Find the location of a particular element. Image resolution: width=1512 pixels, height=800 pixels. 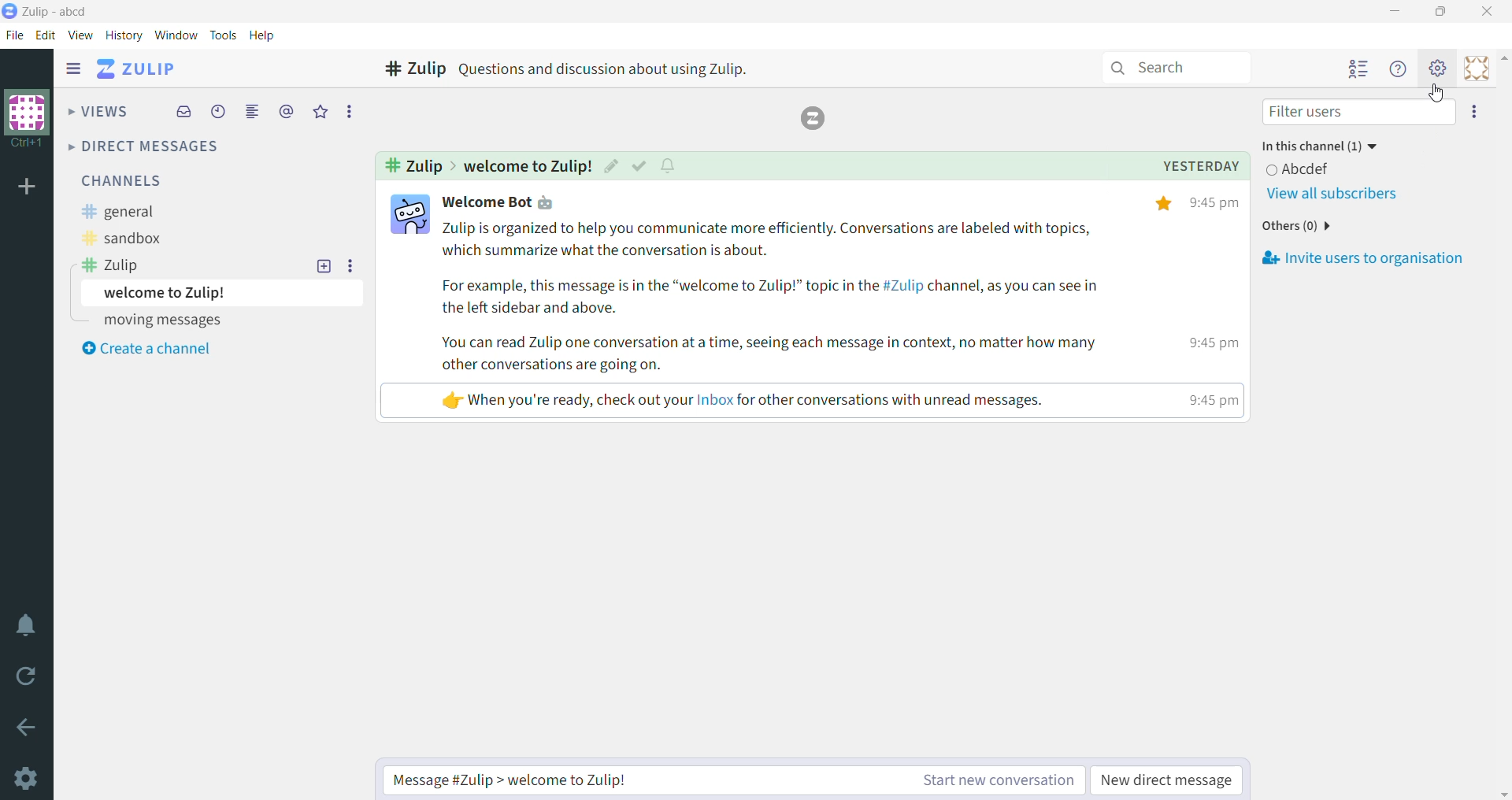

Mark as resolved is located at coordinates (639, 165).